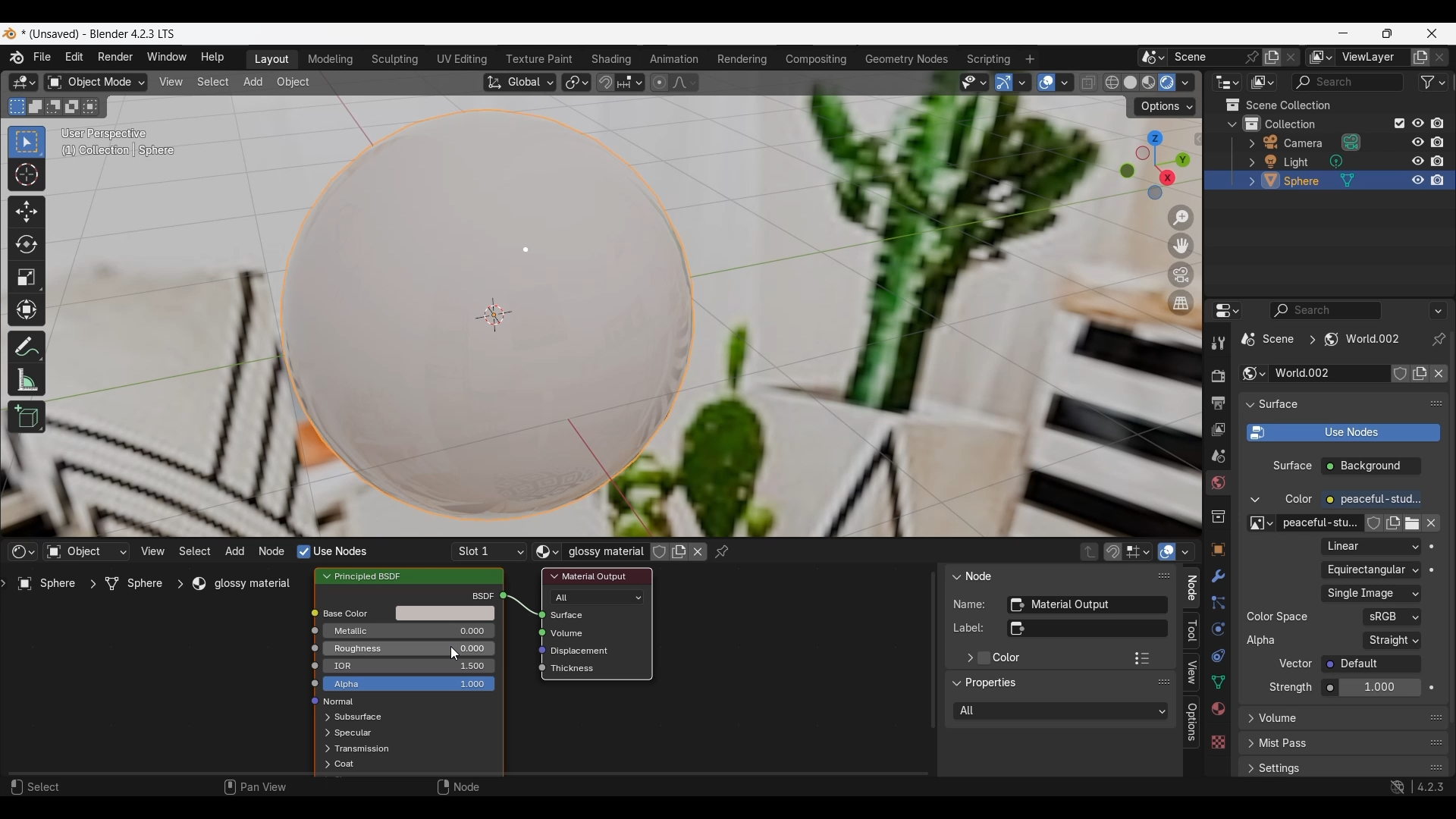  What do you see at coordinates (9, 34) in the screenshot?
I see `Software logo` at bounding box center [9, 34].